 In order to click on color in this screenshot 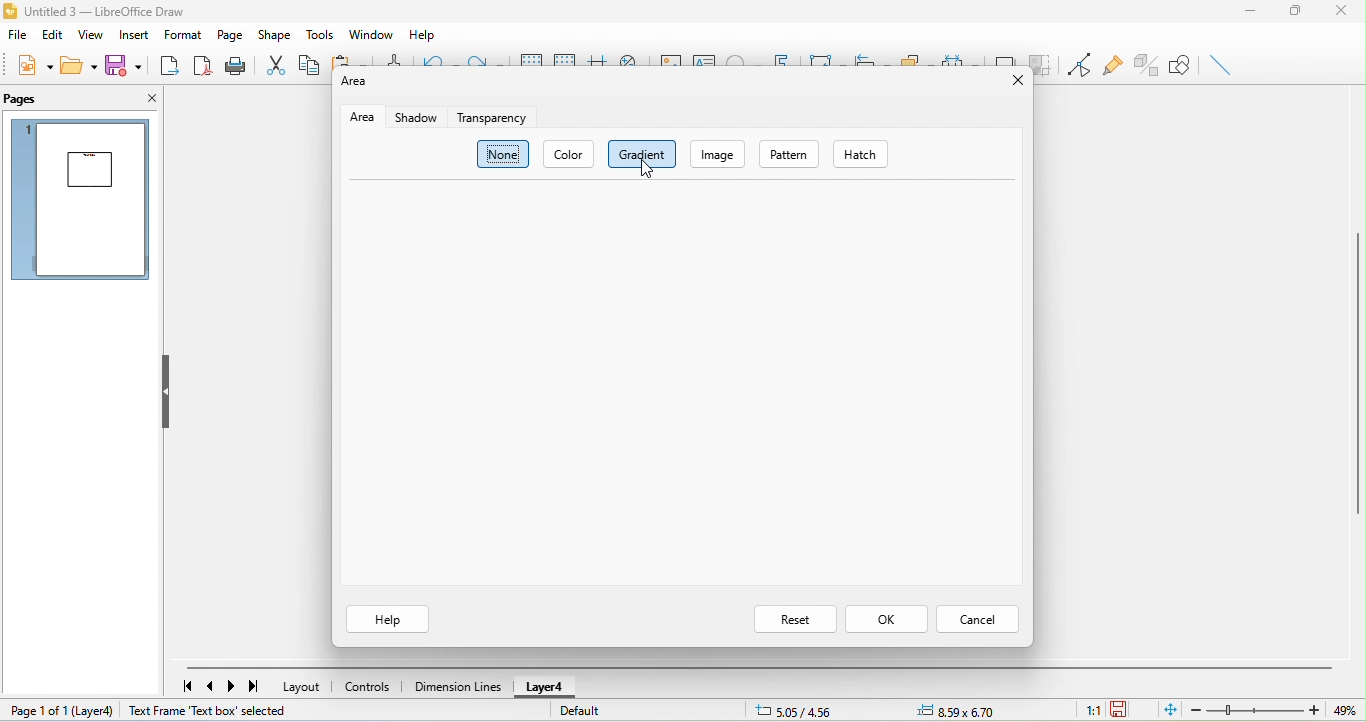, I will do `click(571, 155)`.